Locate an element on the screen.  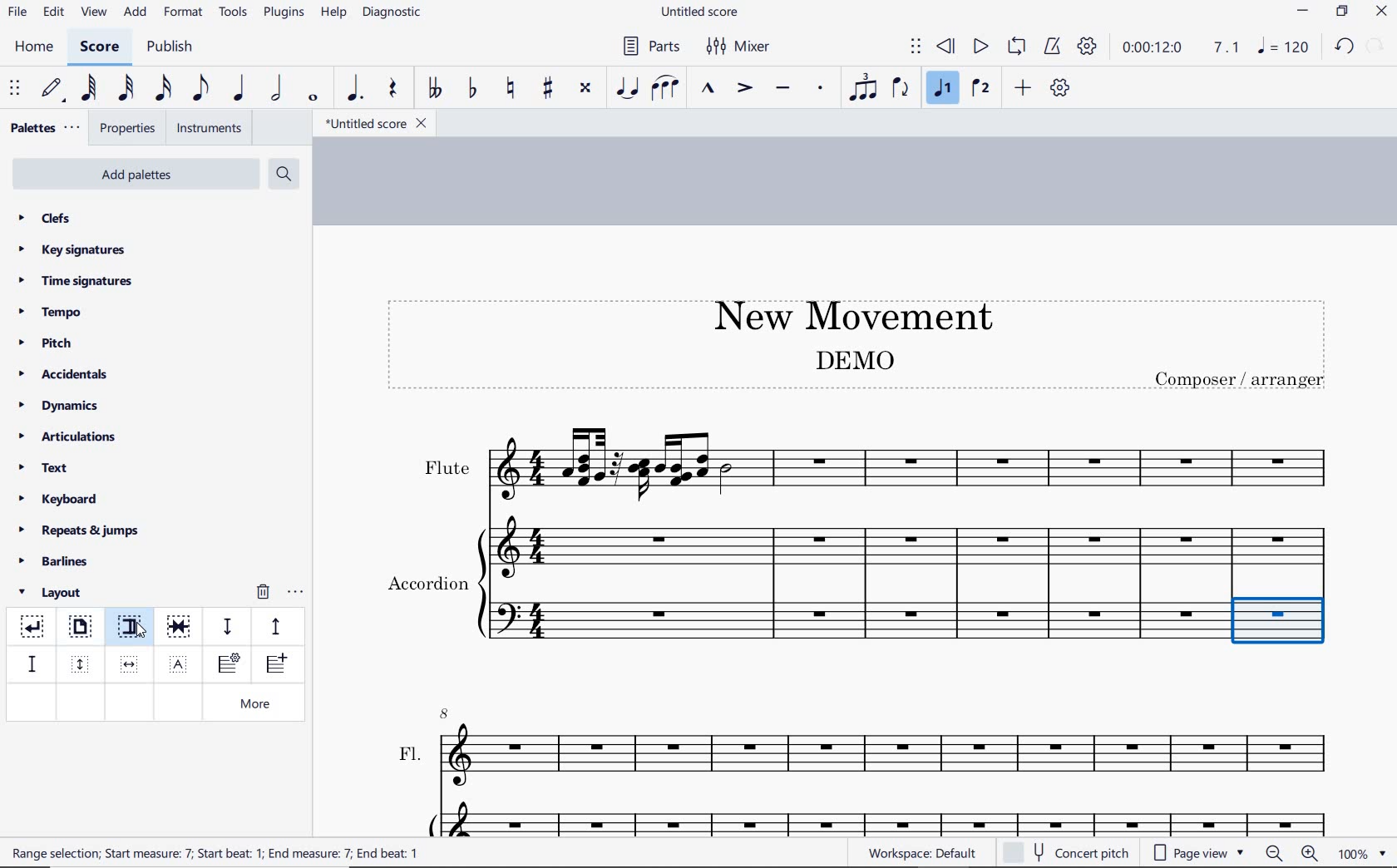
loop playback is located at coordinates (1019, 47).